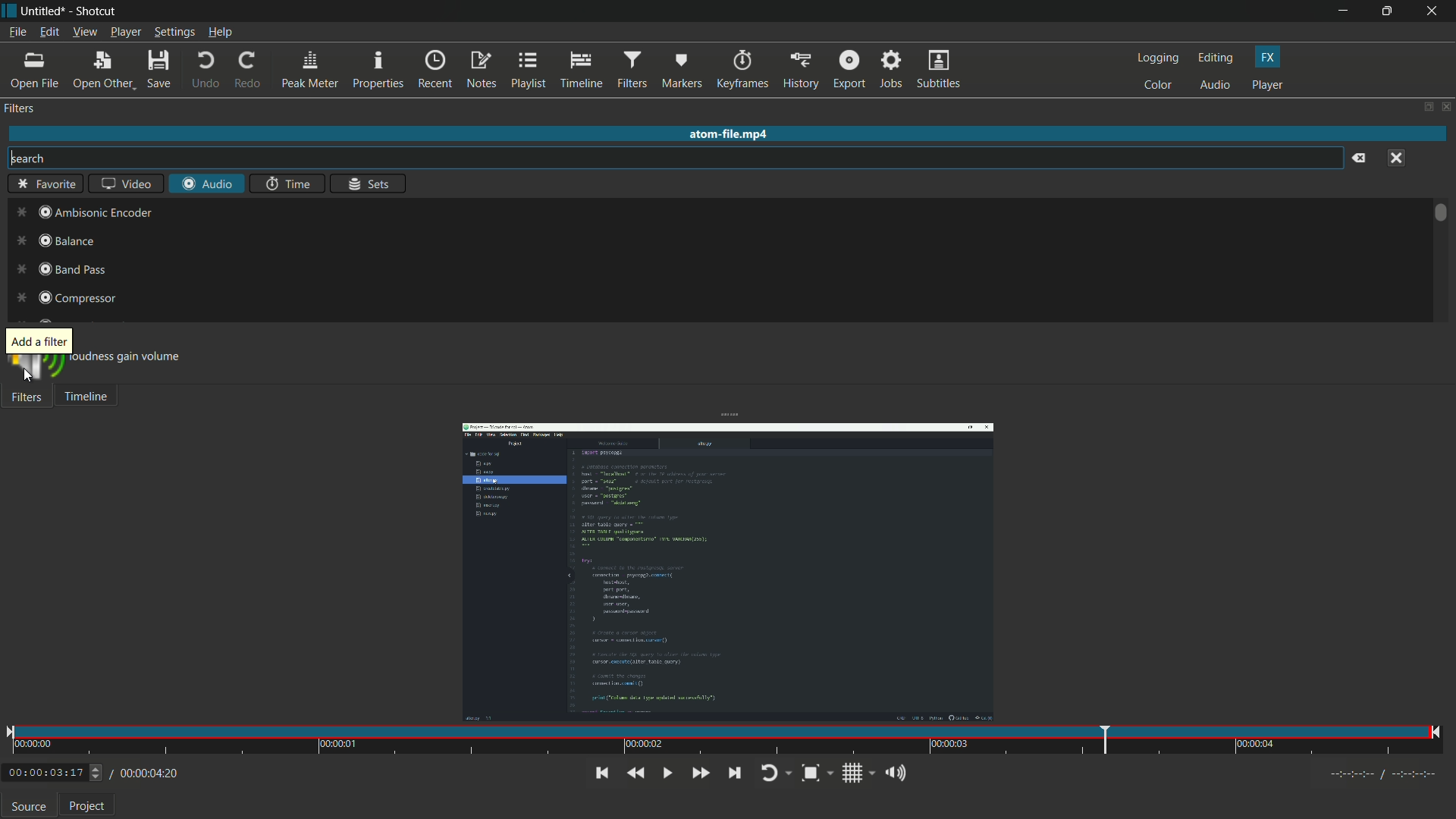 This screenshot has width=1456, height=819. Describe the element at coordinates (632, 71) in the screenshot. I see `filters` at that location.